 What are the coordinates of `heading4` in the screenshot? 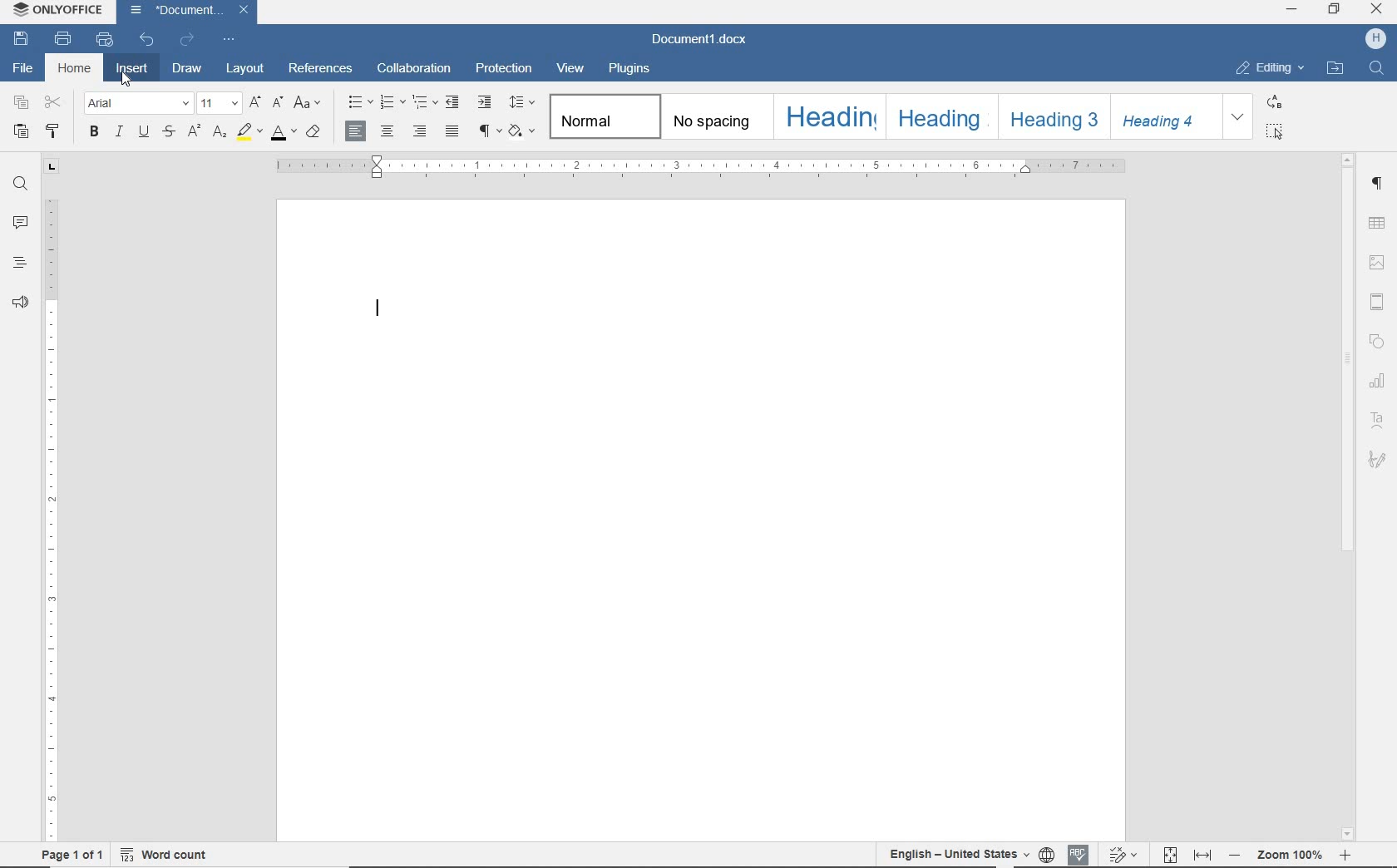 It's located at (1162, 117).